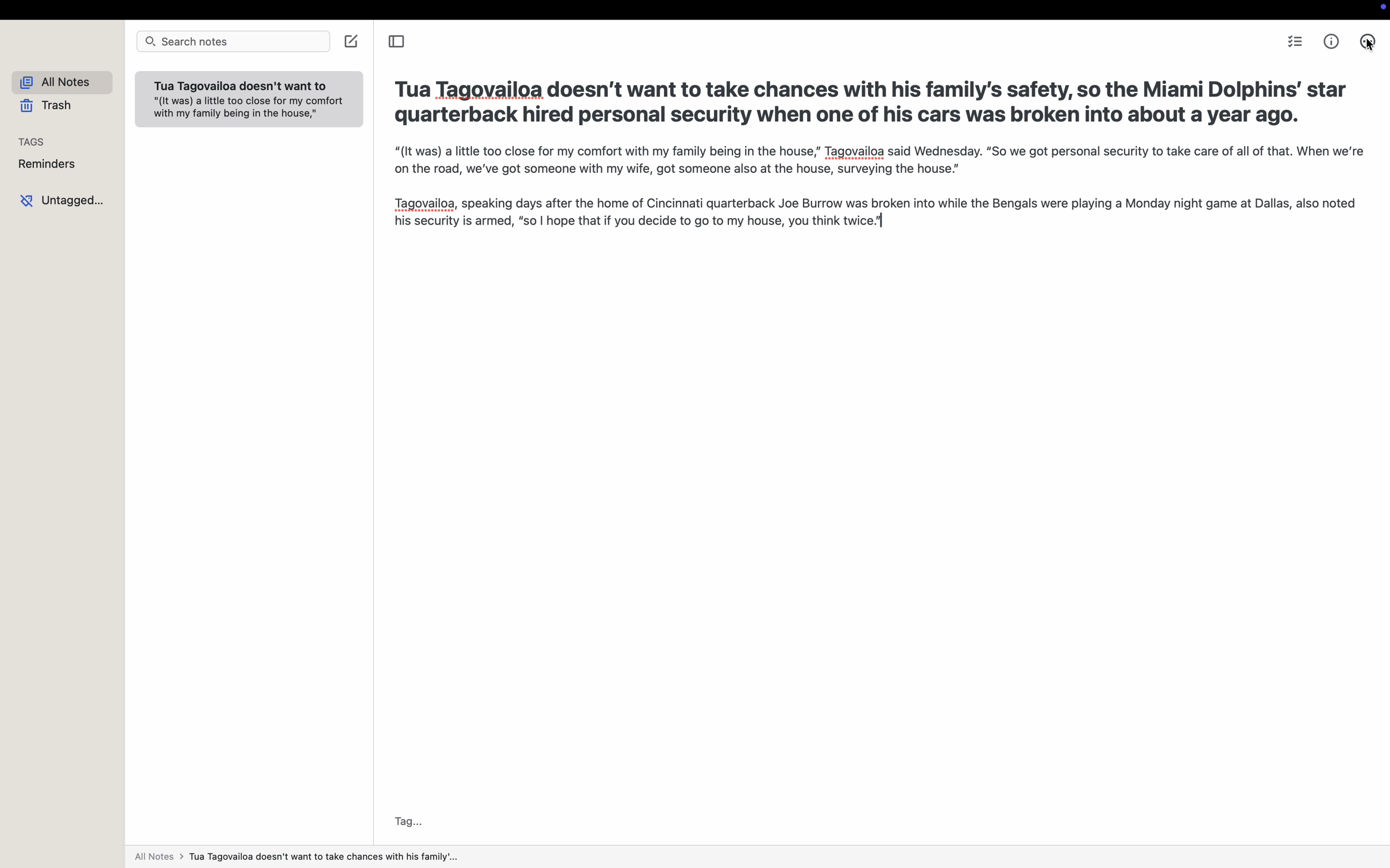 The width and height of the screenshot is (1390, 868). Describe the element at coordinates (63, 201) in the screenshot. I see `untagged` at that location.